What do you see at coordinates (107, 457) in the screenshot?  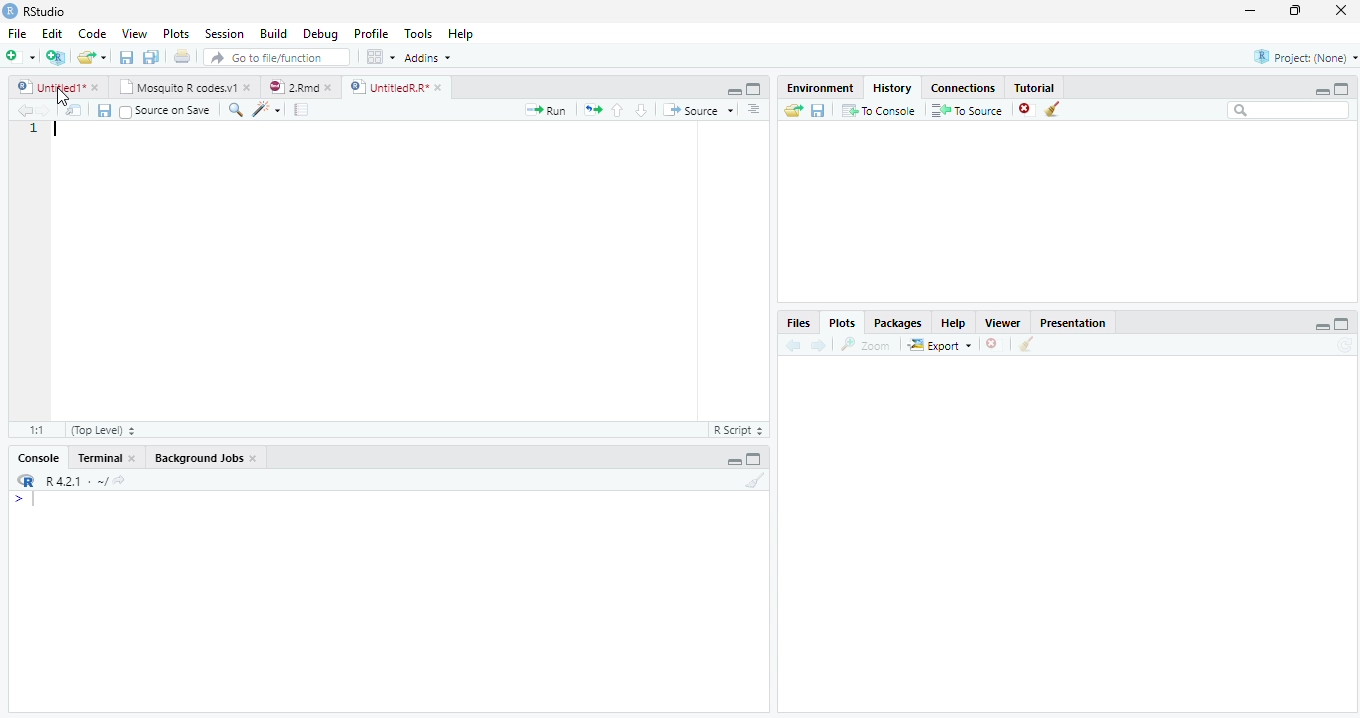 I see `Terminal` at bounding box center [107, 457].